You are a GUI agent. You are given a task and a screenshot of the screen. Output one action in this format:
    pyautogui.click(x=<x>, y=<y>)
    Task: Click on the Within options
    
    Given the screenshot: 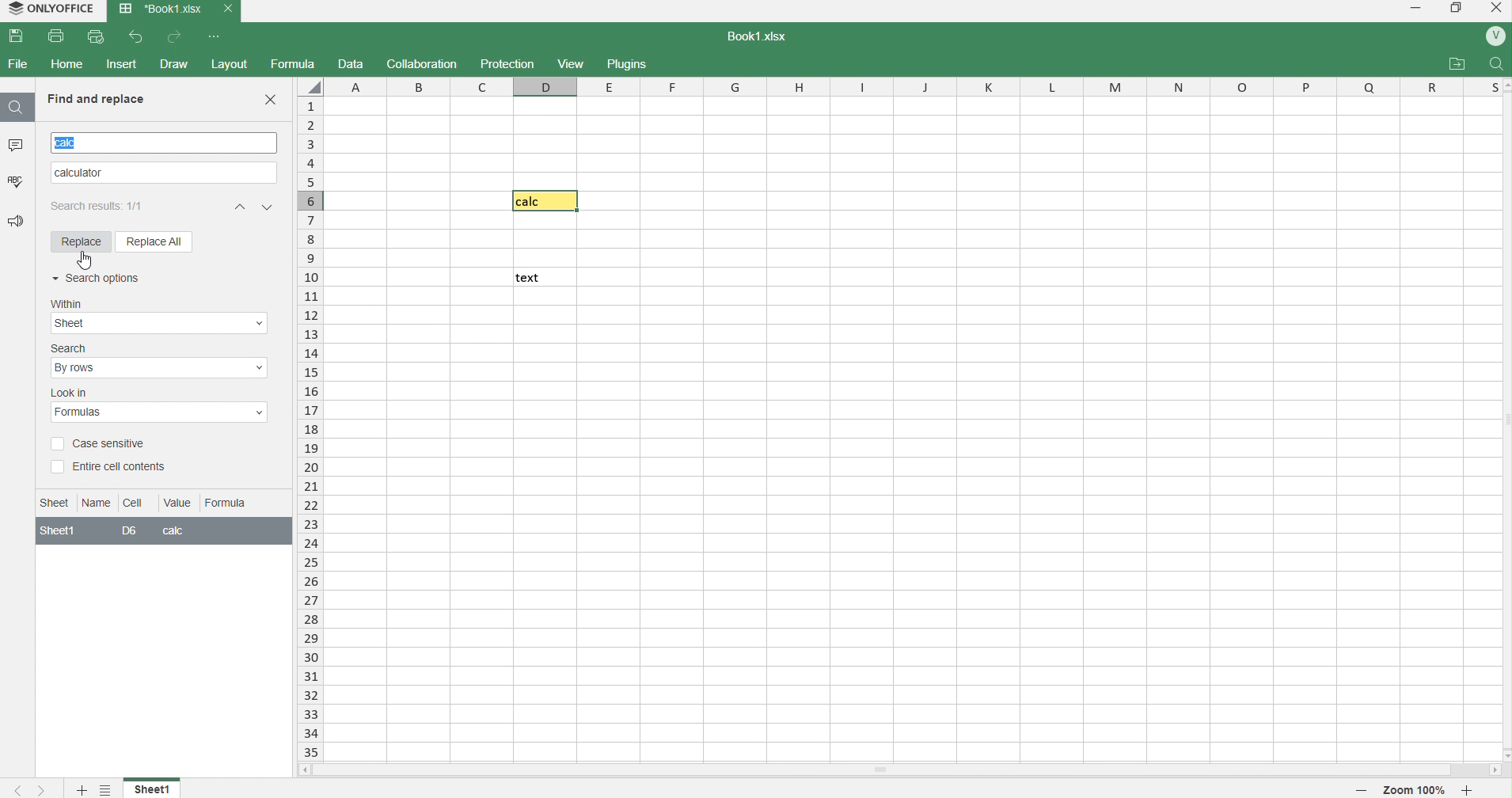 What is the action you would take?
    pyautogui.click(x=159, y=323)
    